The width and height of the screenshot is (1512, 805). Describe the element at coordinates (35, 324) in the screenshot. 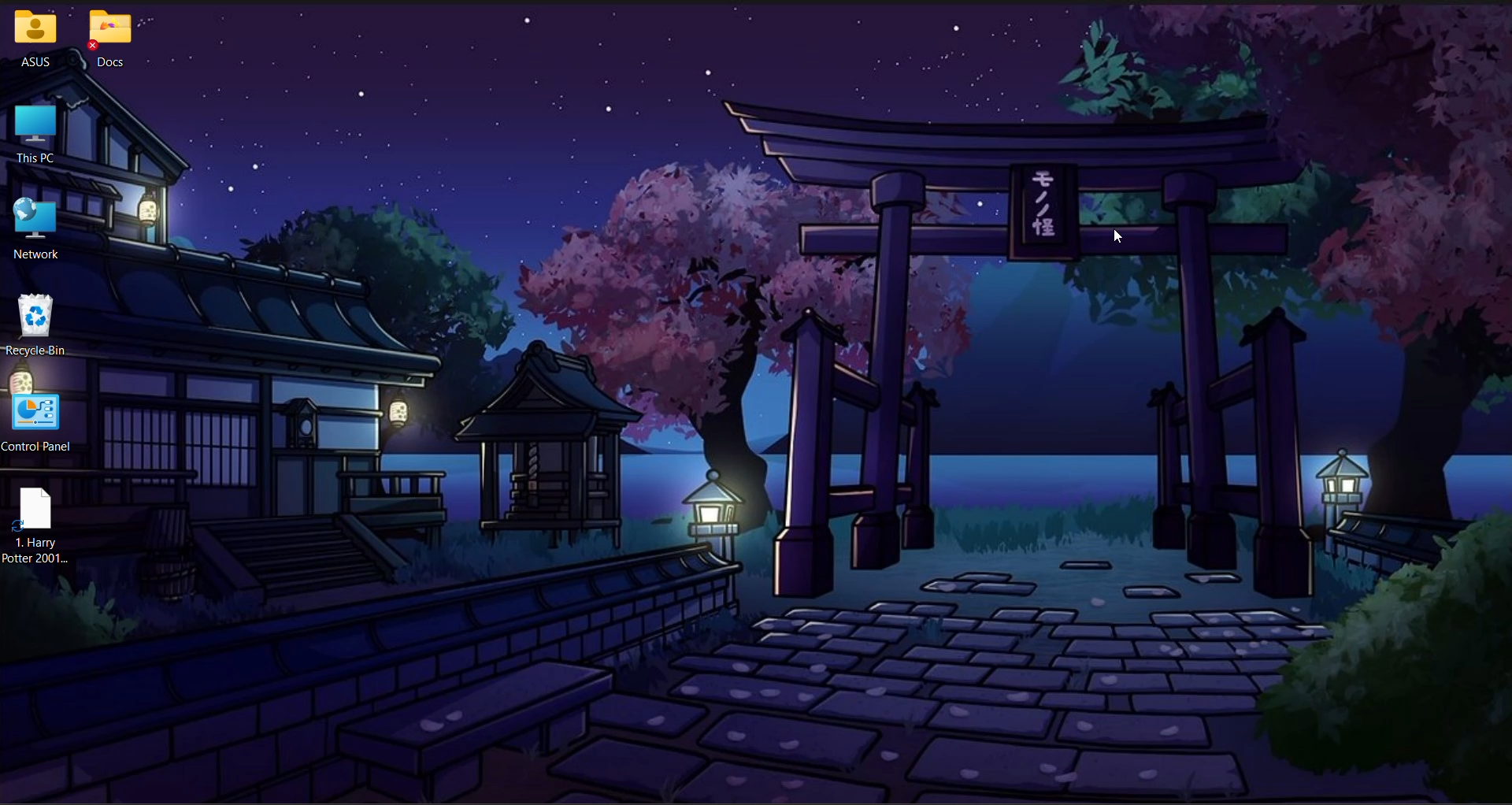

I see `Recycle bin` at that location.